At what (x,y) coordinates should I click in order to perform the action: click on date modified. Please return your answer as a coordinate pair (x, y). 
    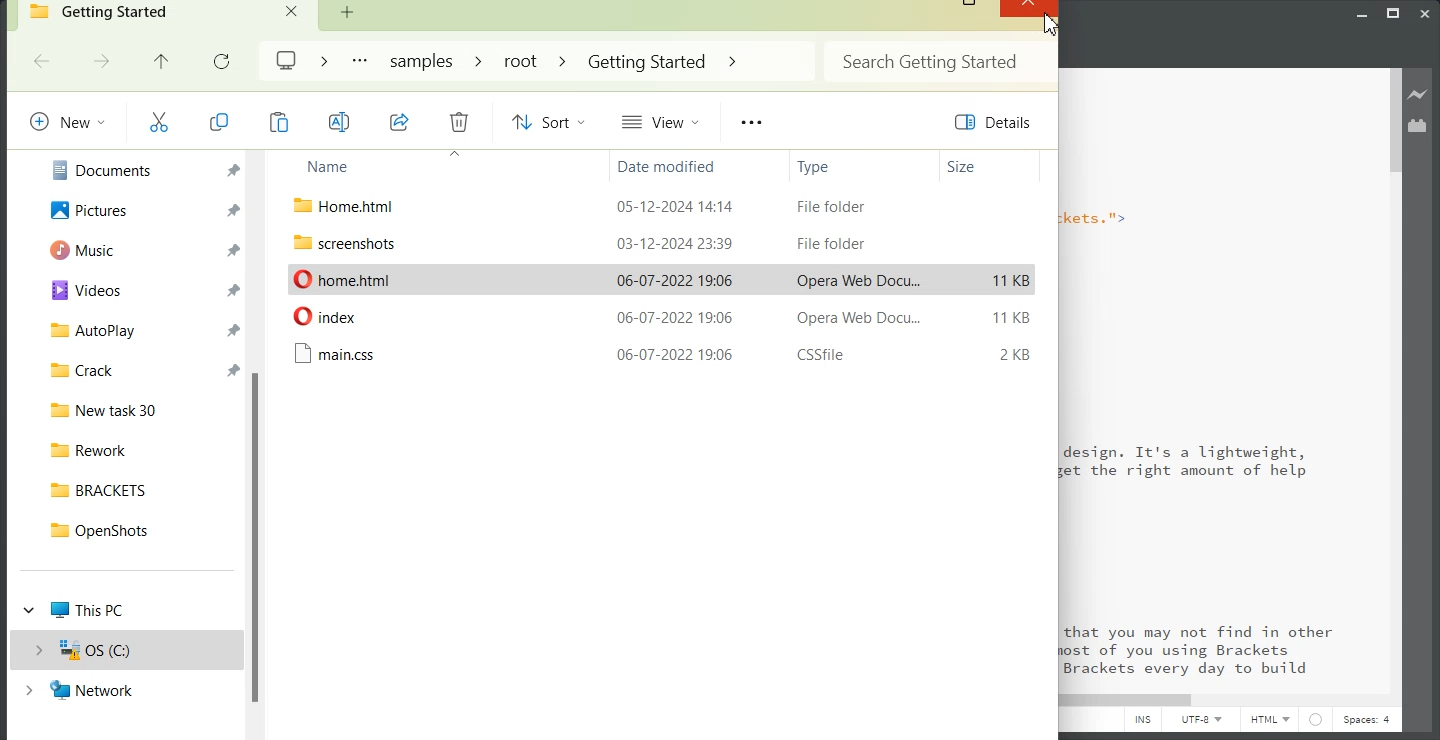
    Looking at the image, I should click on (674, 242).